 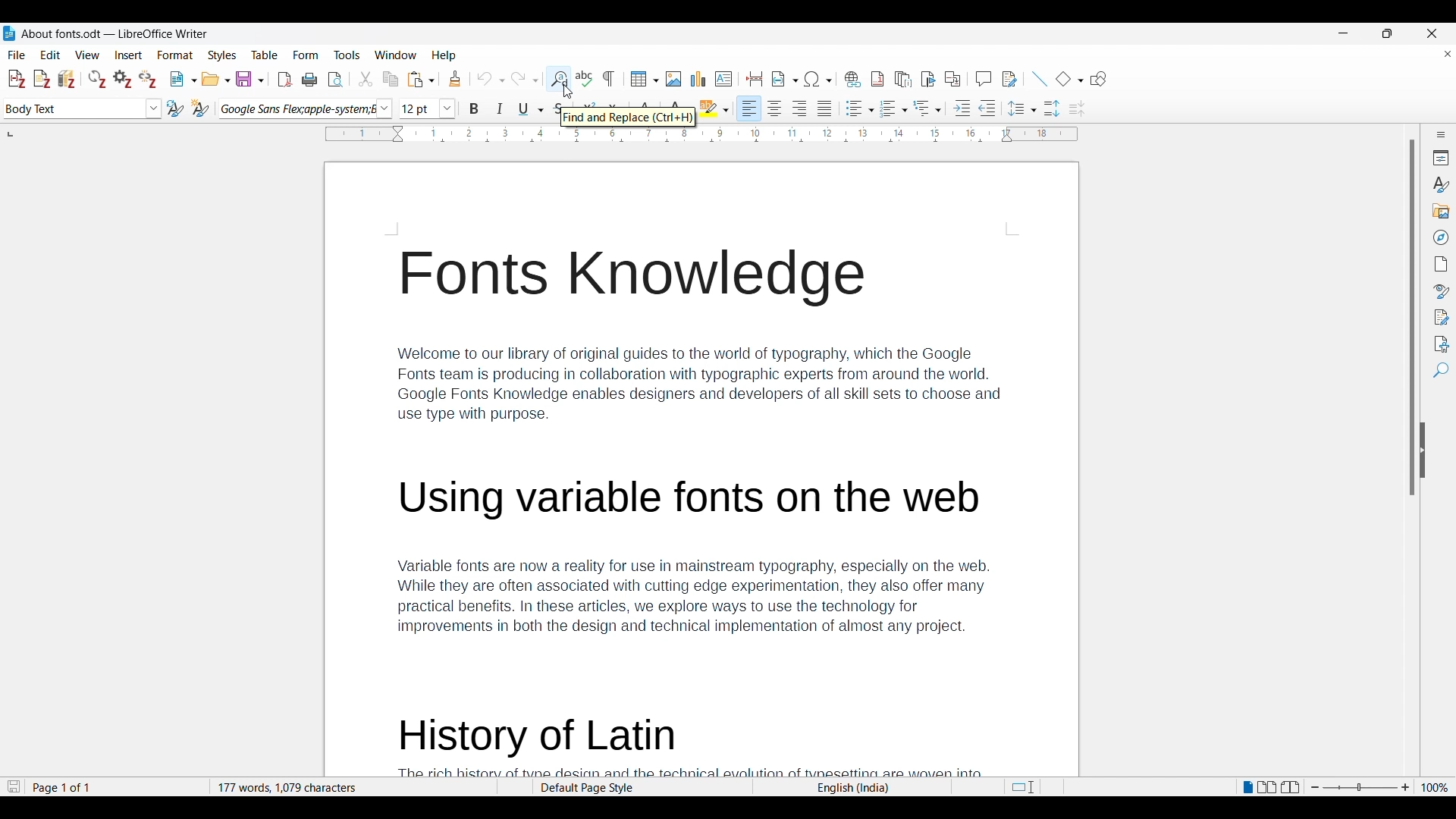 I want to click on Text in current document, so click(x=699, y=470).